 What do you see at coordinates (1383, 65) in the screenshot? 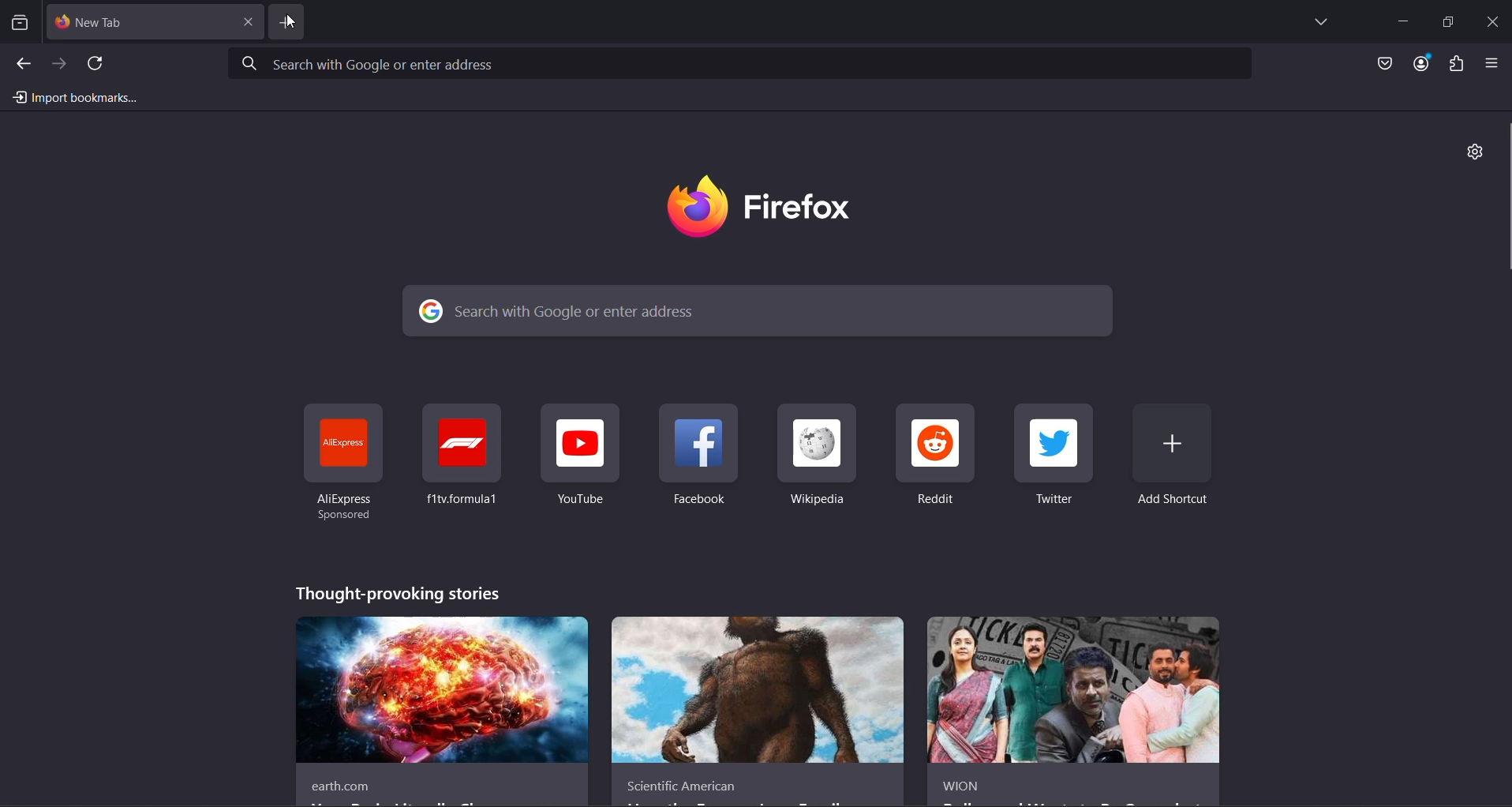
I see `save to pocket` at bounding box center [1383, 65].